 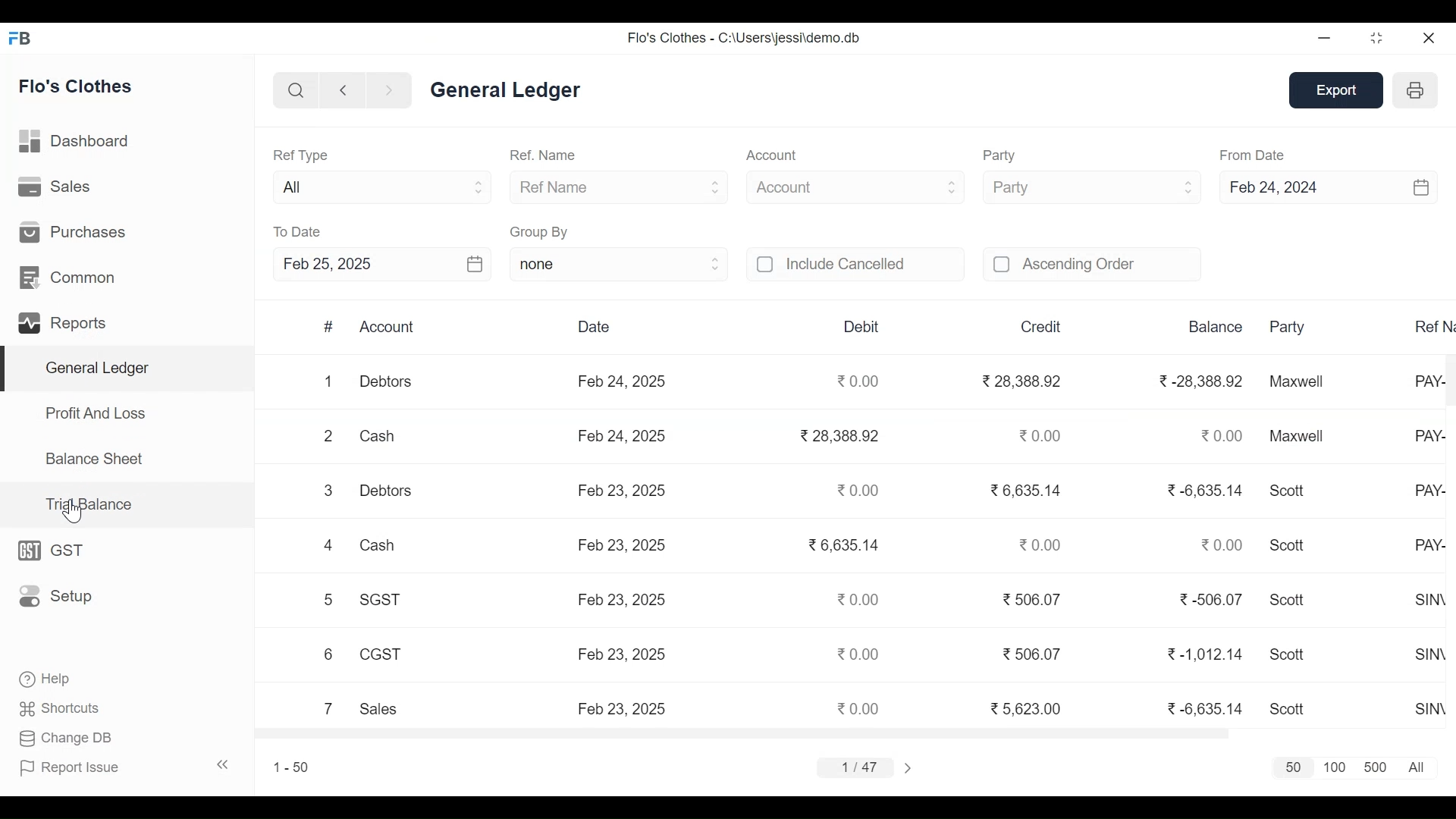 What do you see at coordinates (1284, 326) in the screenshot?
I see `Party` at bounding box center [1284, 326].